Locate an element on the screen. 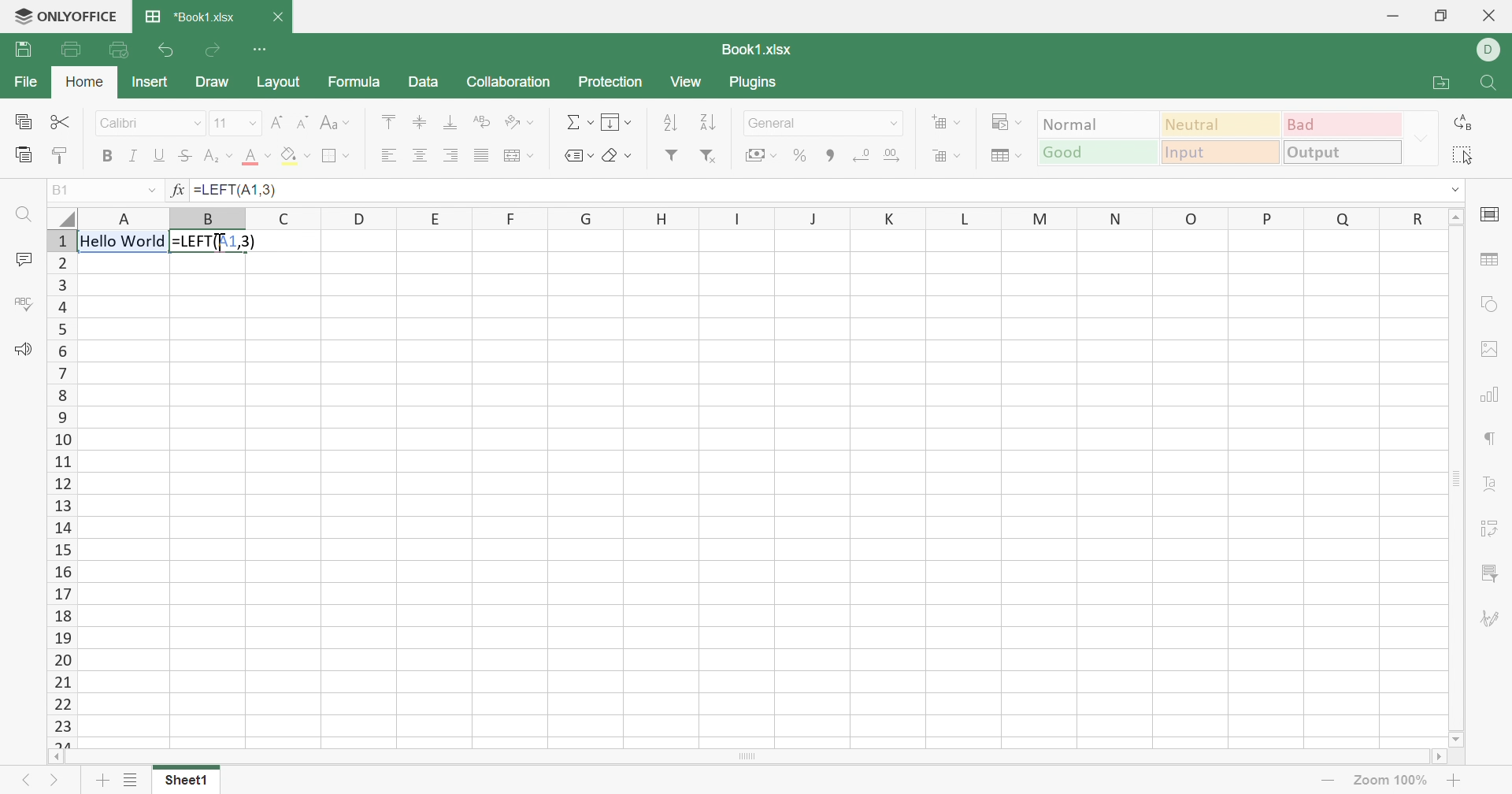 Image resolution: width=1512 pixels, height=794 pixels. Paste is located at coordinates (23, 156).